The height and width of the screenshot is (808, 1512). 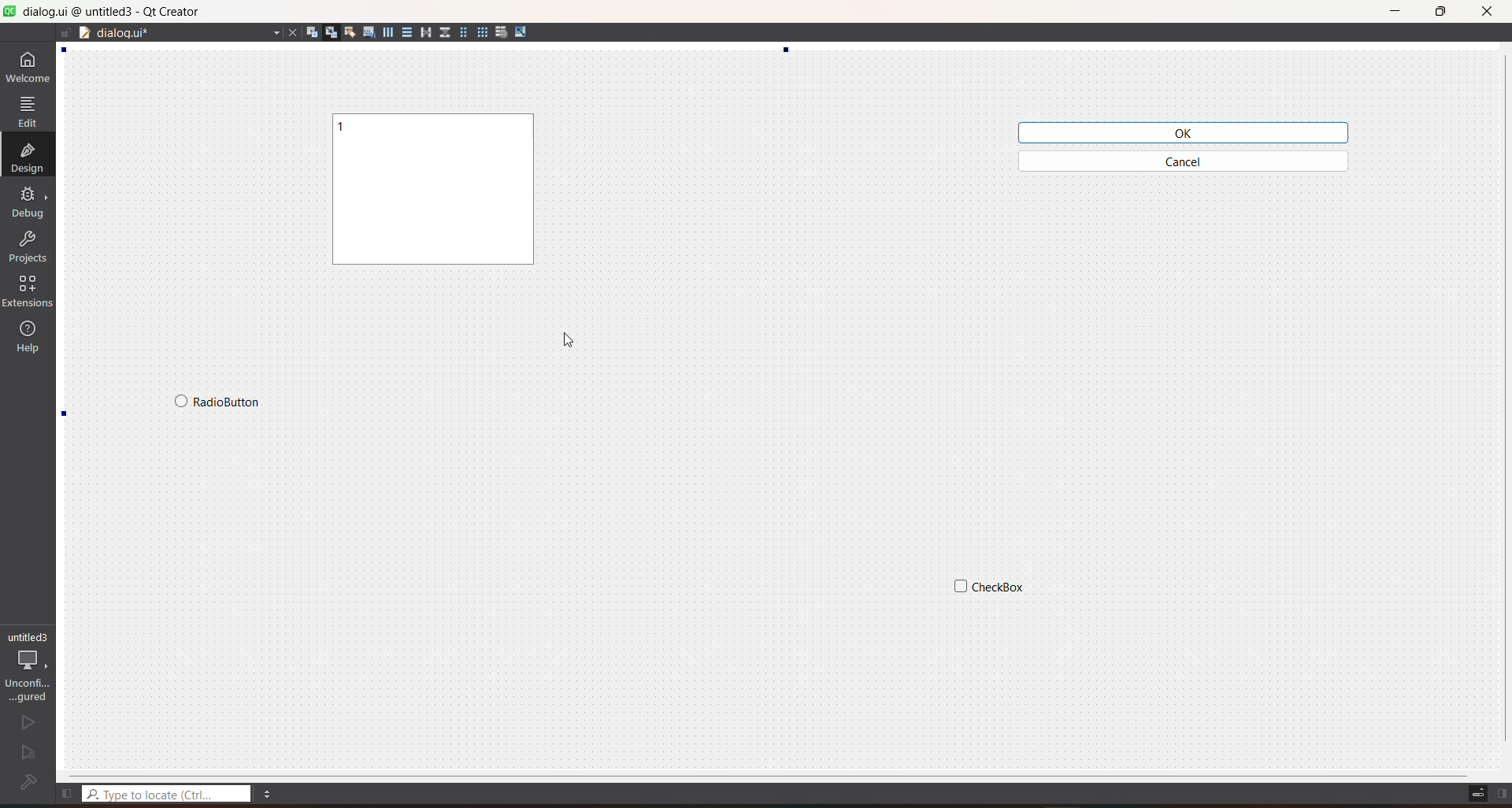 What do you see at coordinates (65, 35) in the screenshot?
I see `file is writable` at bounding box center [65, 35].